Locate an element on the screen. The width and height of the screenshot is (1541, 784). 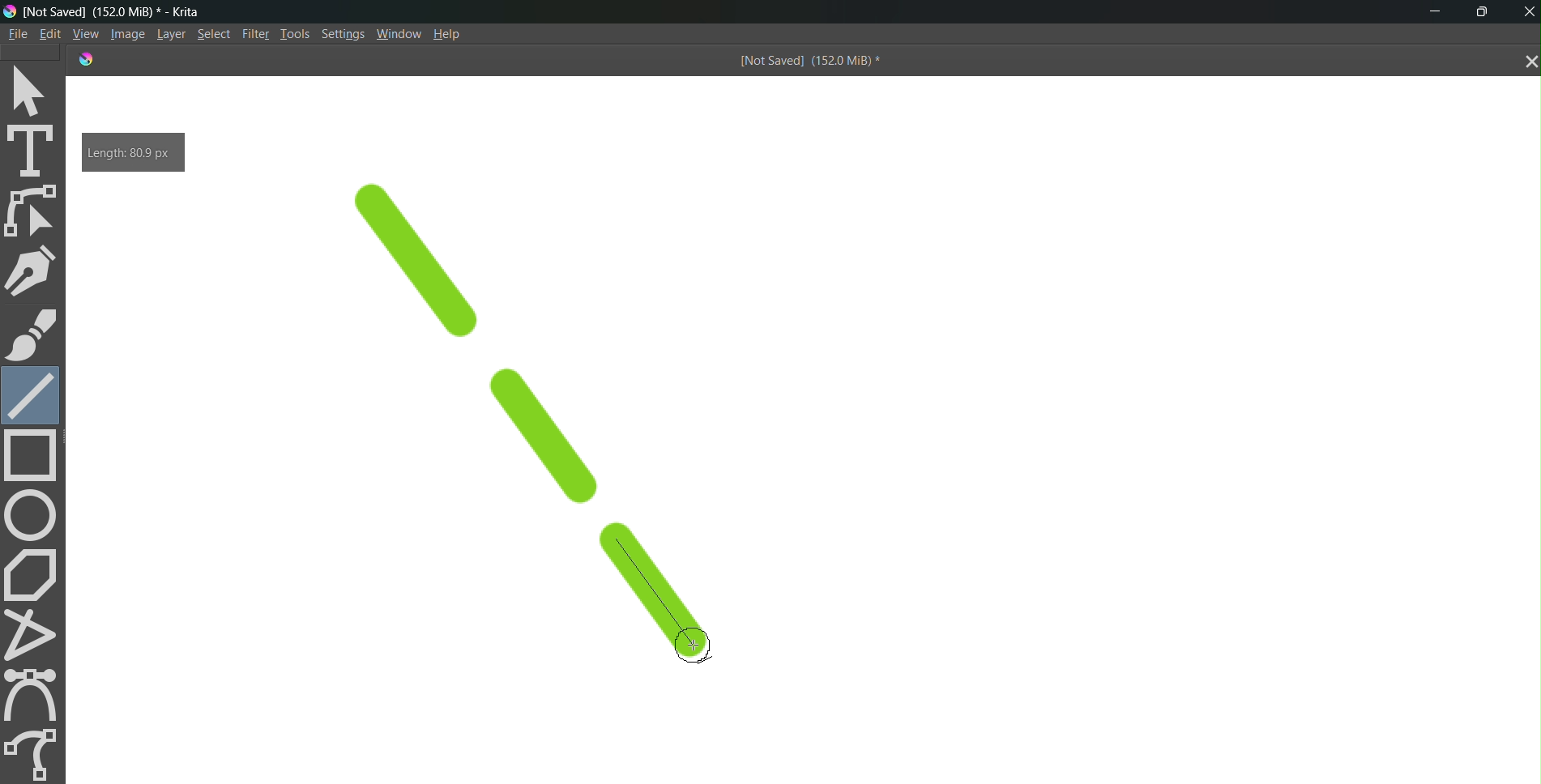
Image is located at coordinates (125, 35).